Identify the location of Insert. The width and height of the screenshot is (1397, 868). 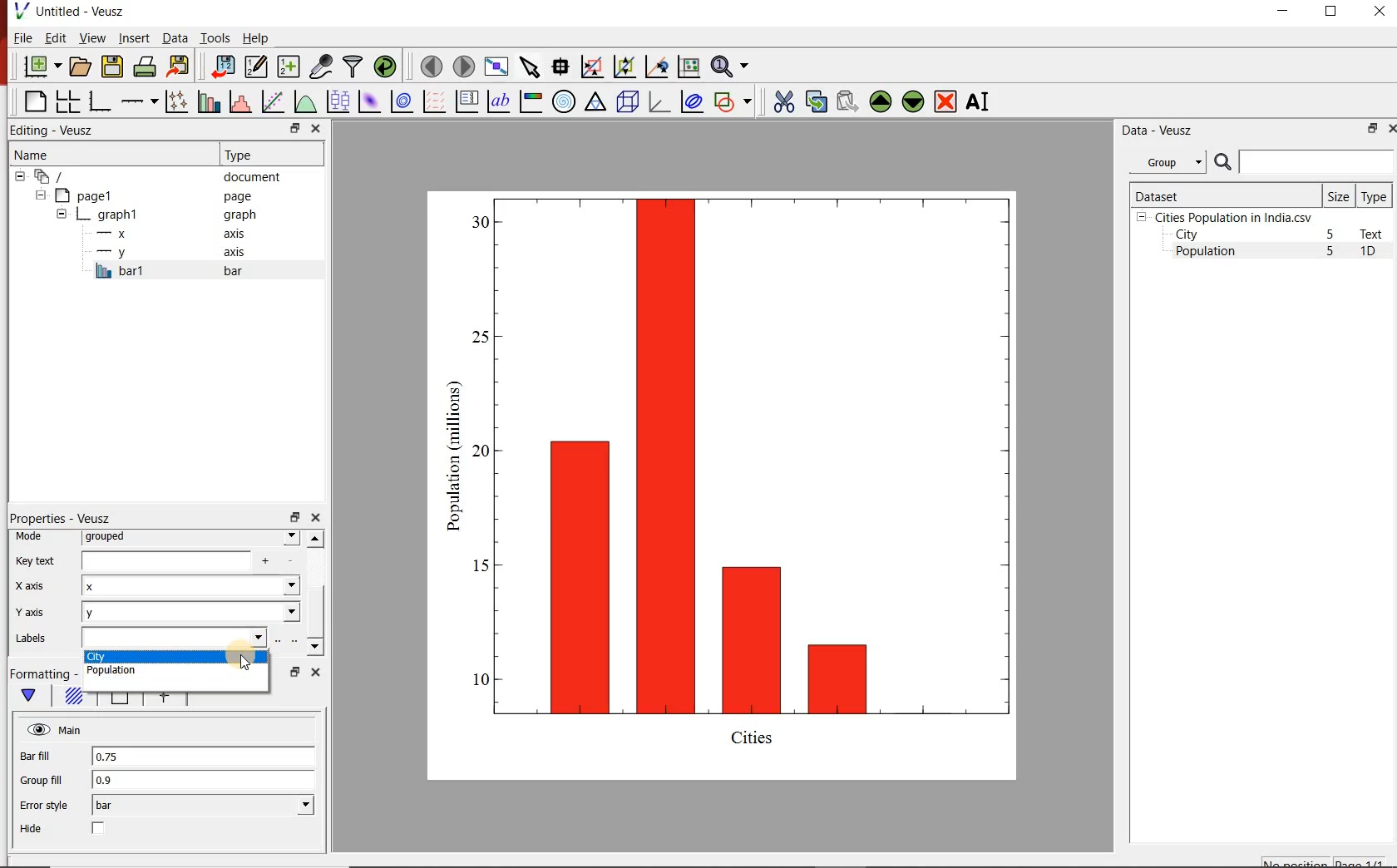
(133, 39).